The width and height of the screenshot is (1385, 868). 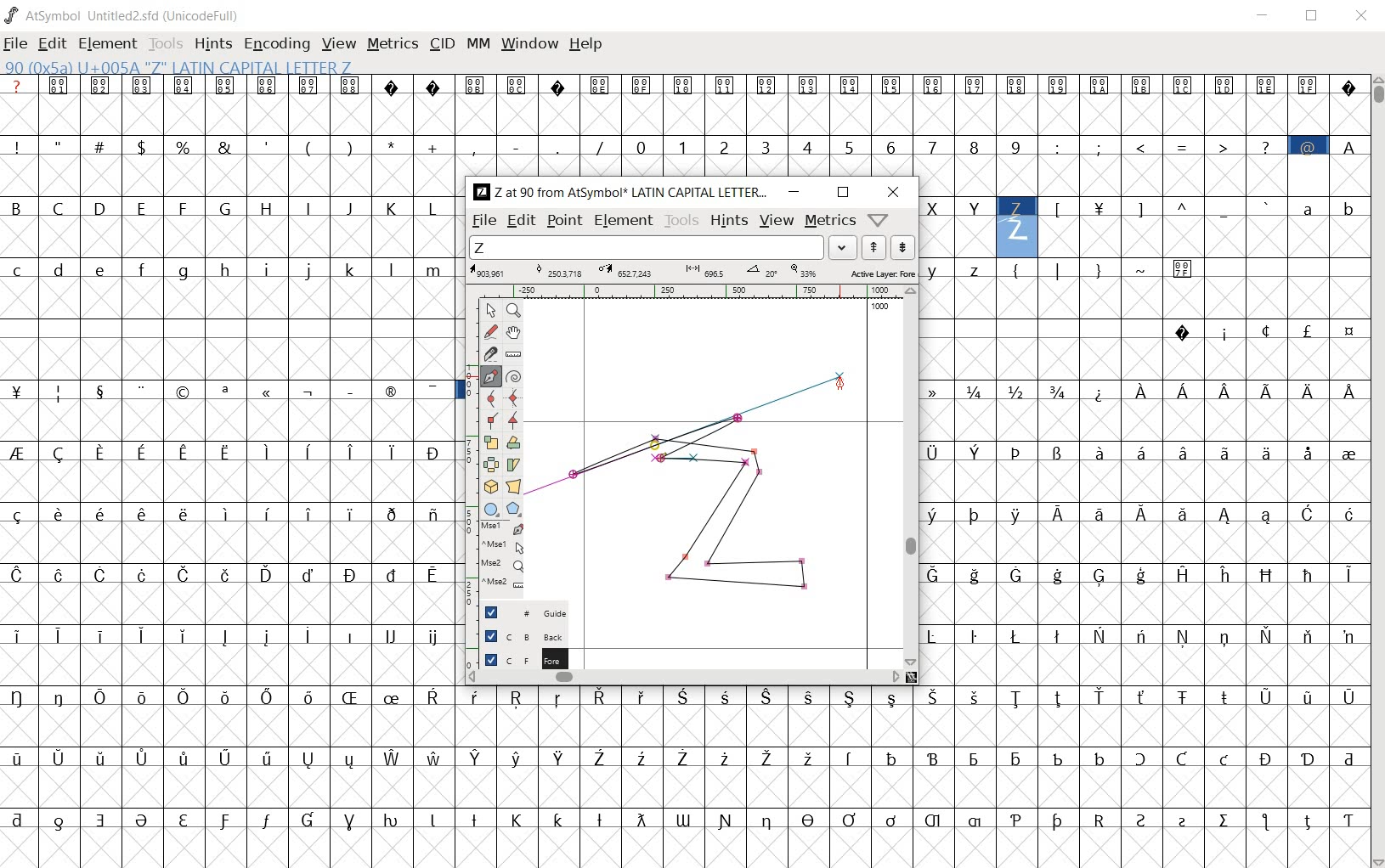 I want to click on view, so click(x=340, y=43).